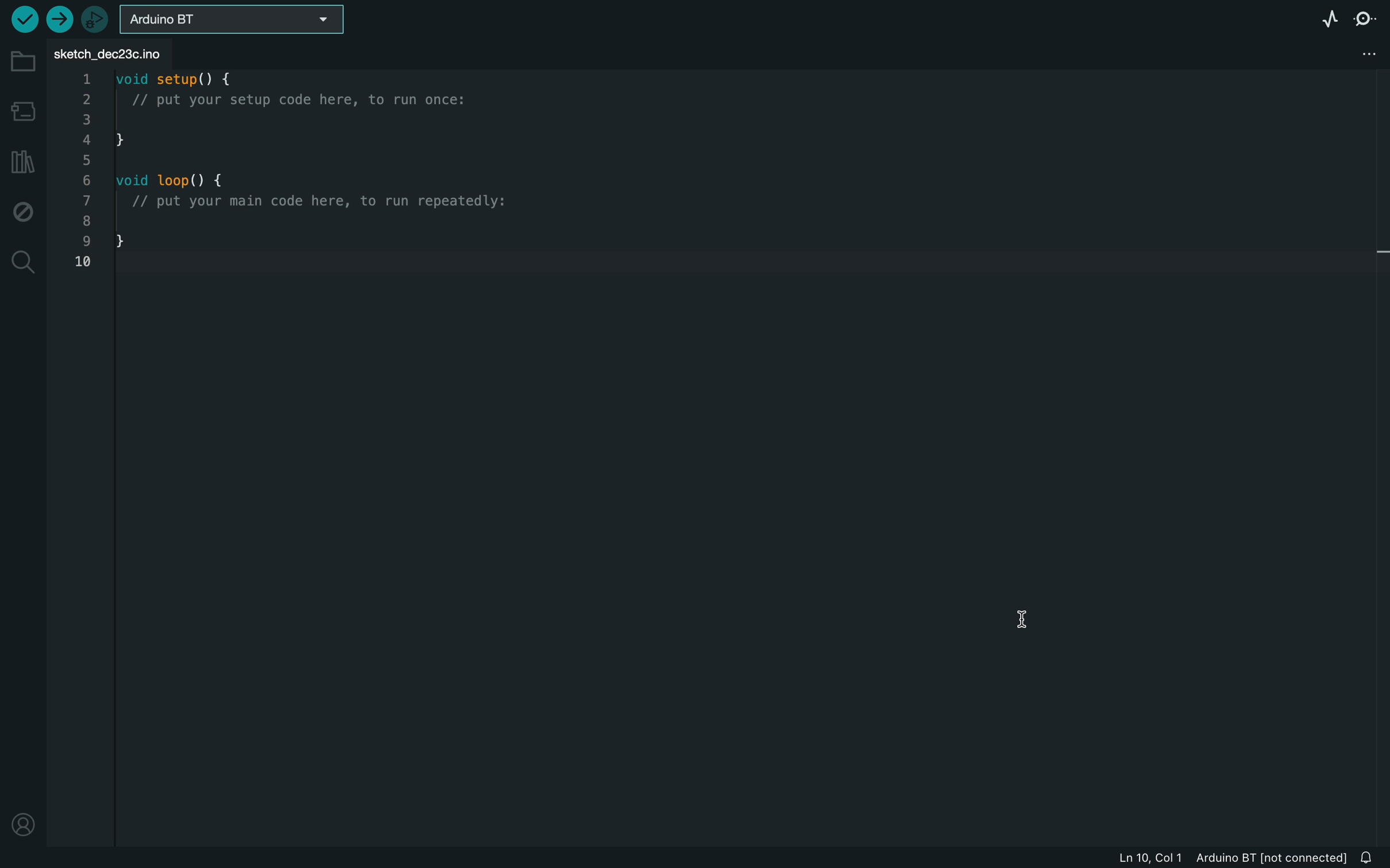  I want to click on upload, so click(59, 20).